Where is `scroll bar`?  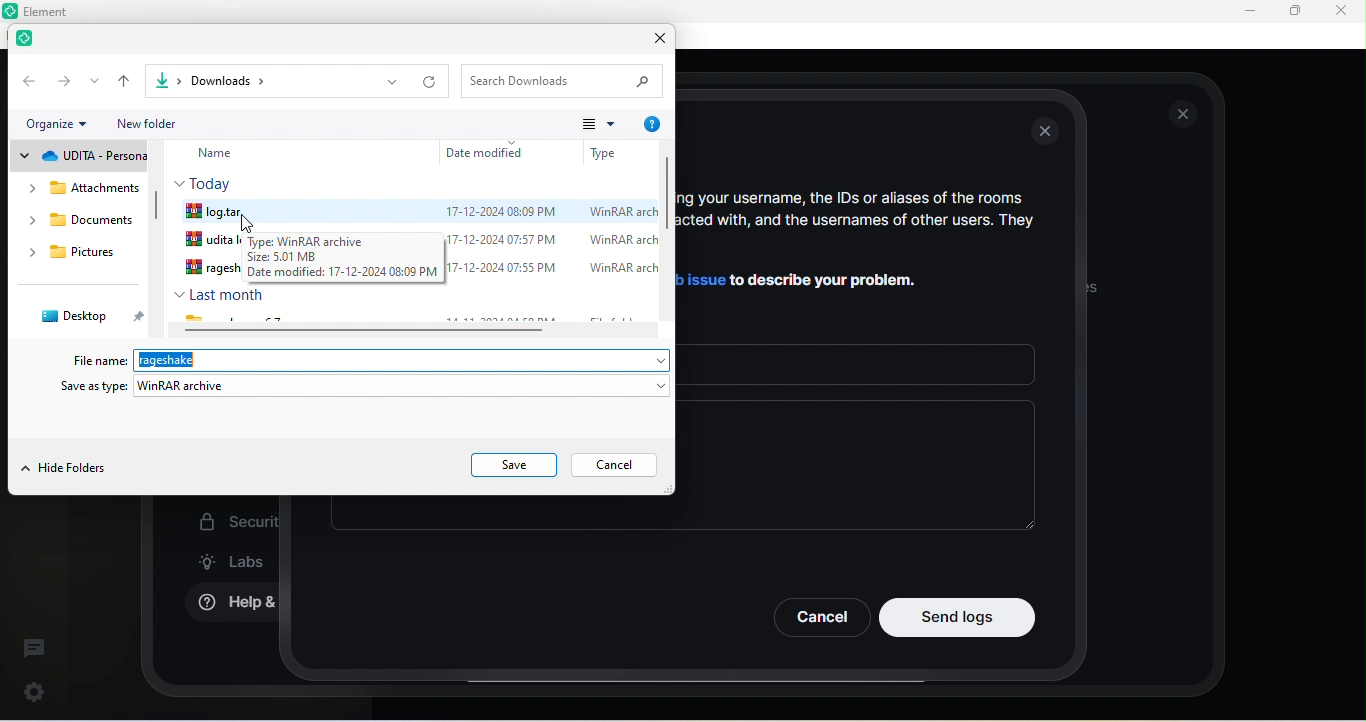
scroll bar is located at coordinates (157, 212).